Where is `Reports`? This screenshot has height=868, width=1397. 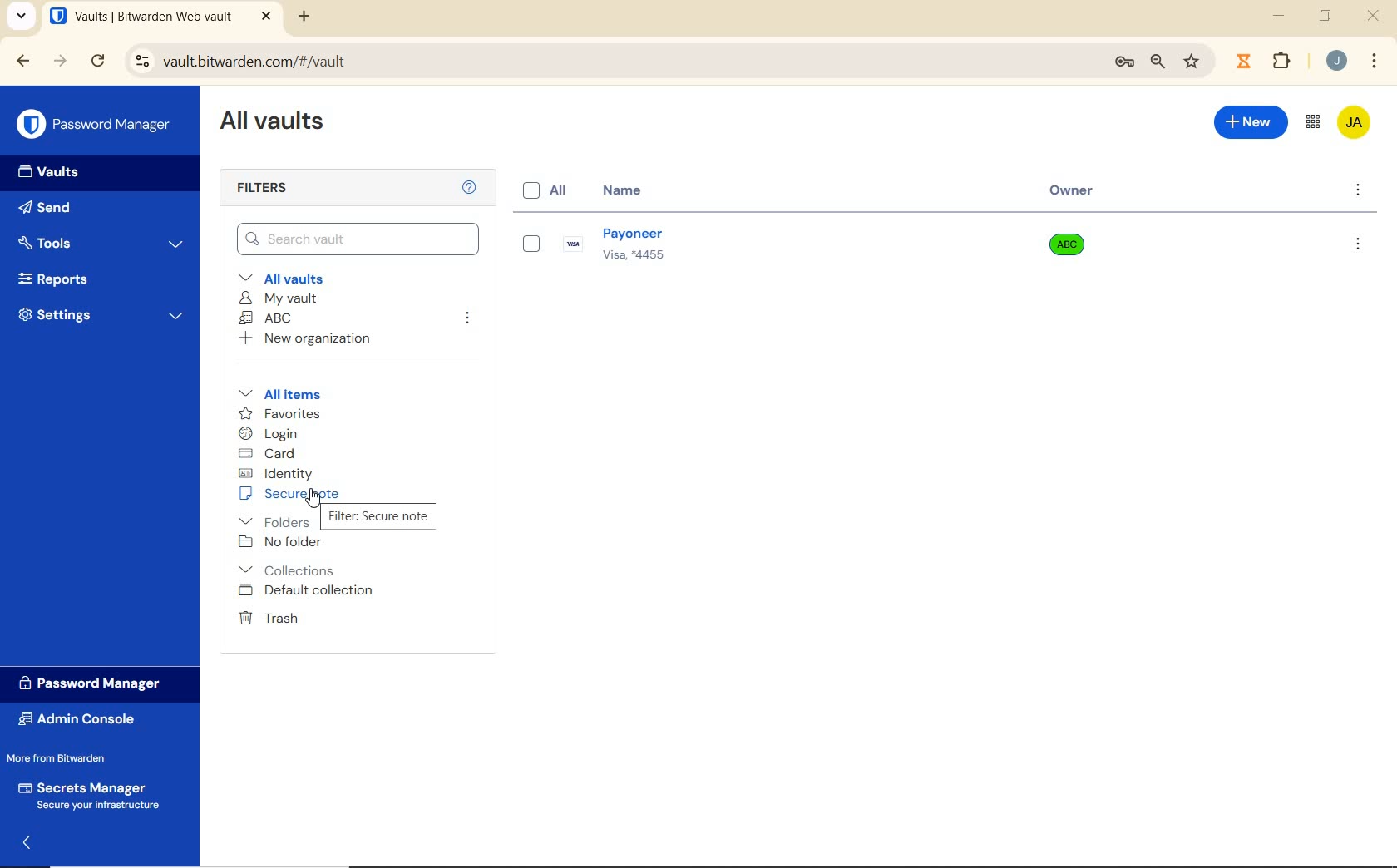
Reports is located at coordinates (95, 277).